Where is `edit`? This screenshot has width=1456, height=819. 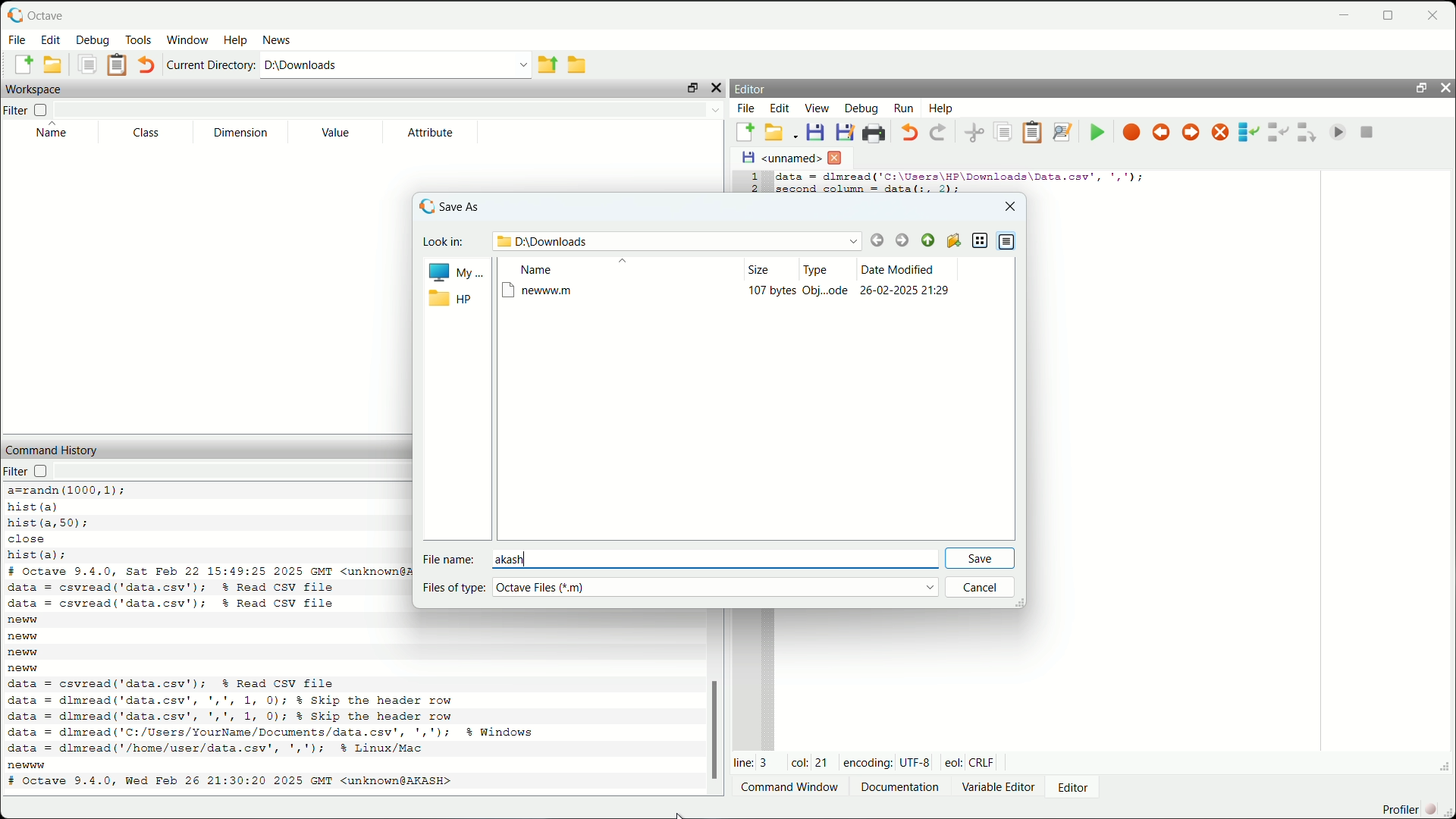
edit is located at coordinates (50, 39).